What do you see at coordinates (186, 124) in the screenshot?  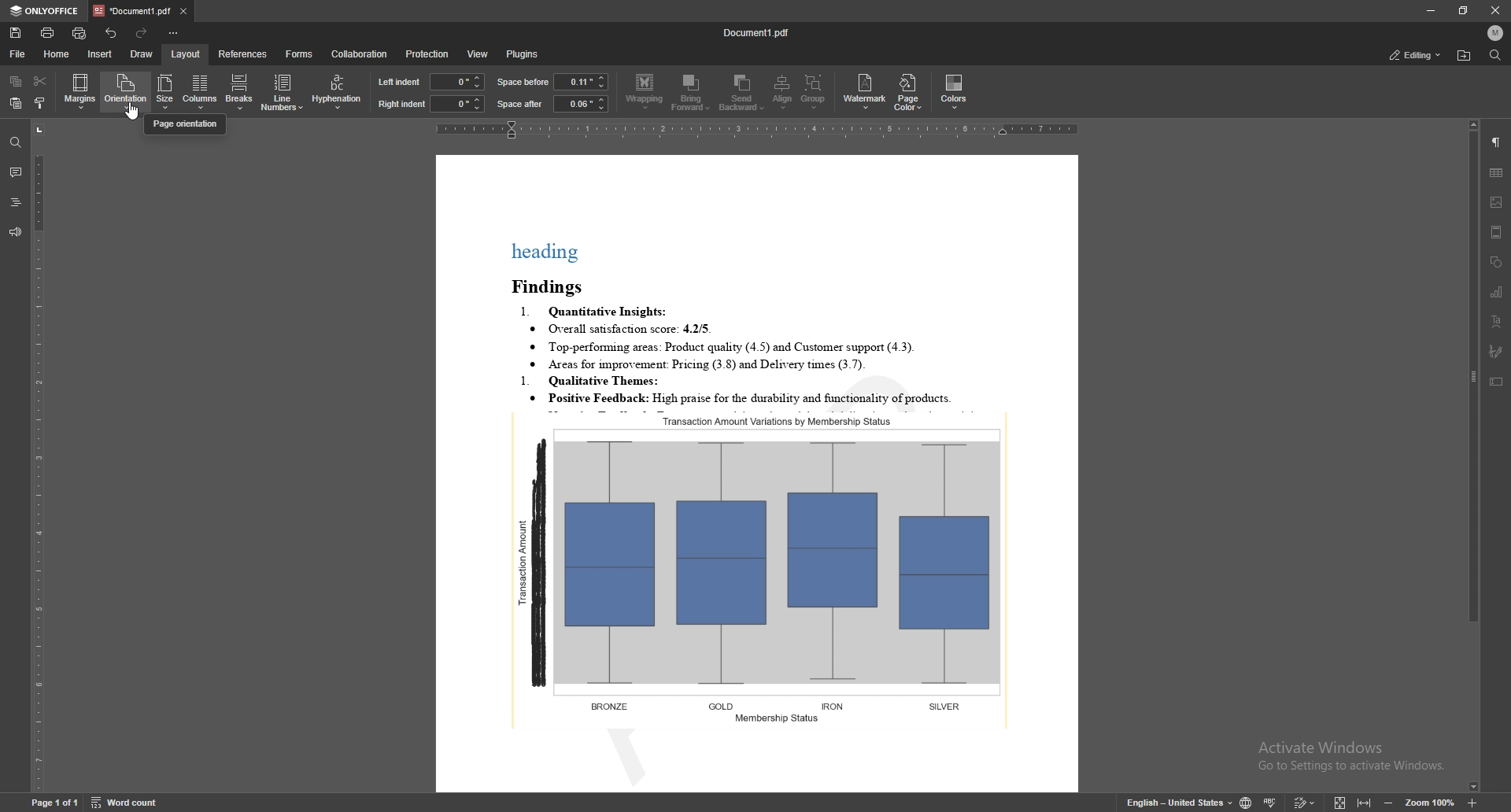 I see `cursor description` at bounding box center [186, 124].